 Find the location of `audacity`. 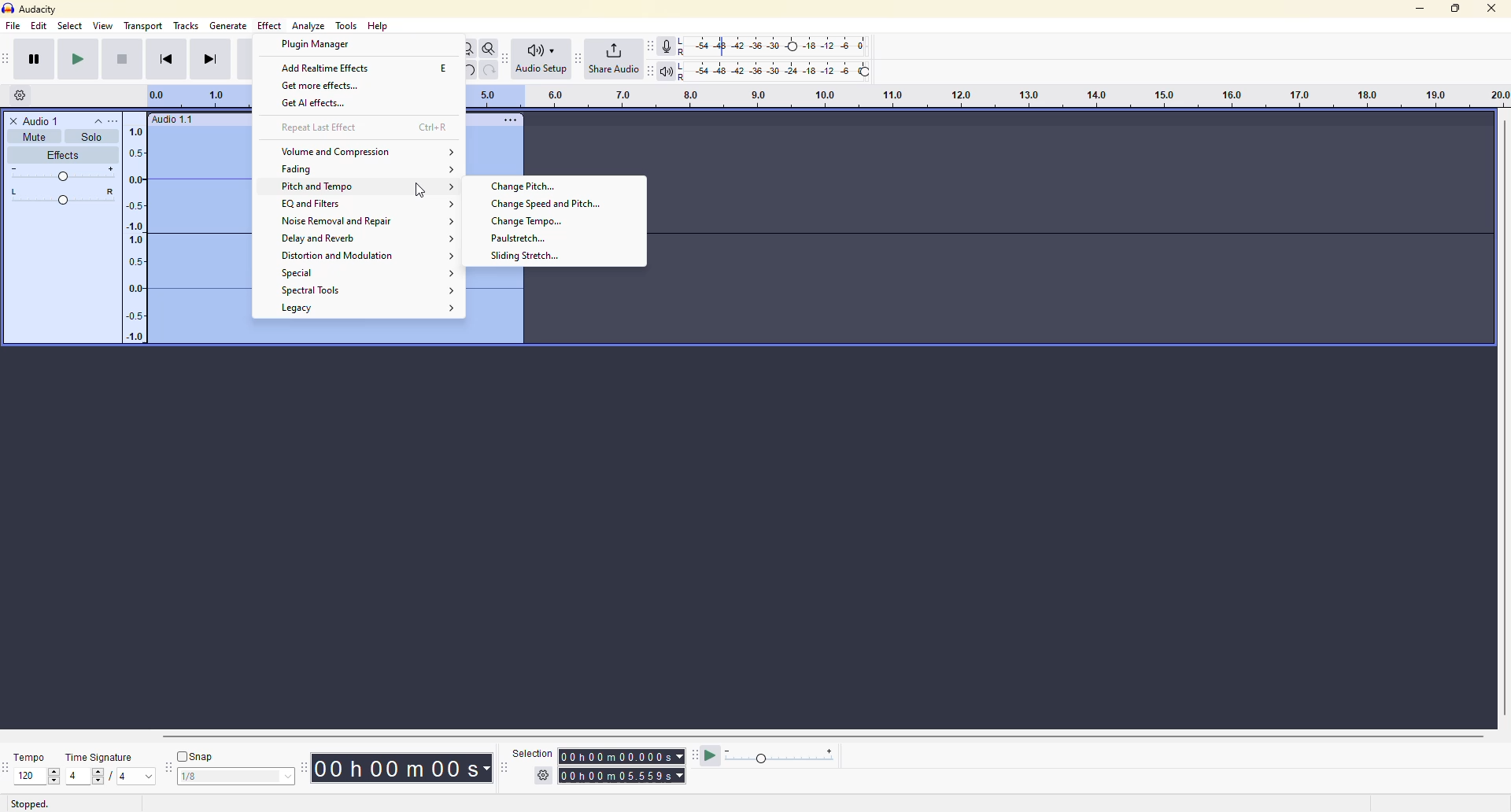

audacity is located at coordinates (29, 9).